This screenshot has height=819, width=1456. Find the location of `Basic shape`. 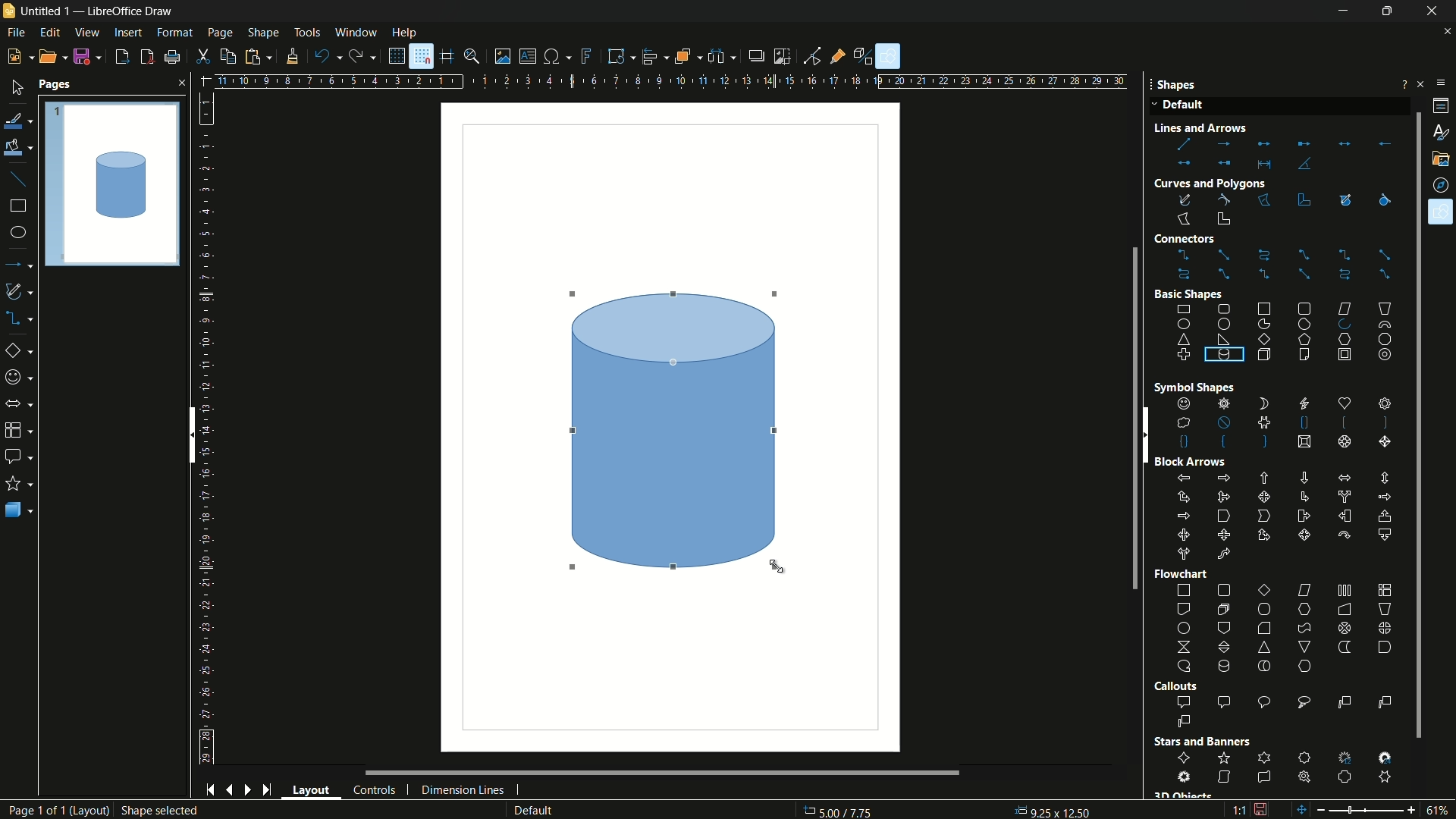

Basic shape is located at coordinates (1188, 293).